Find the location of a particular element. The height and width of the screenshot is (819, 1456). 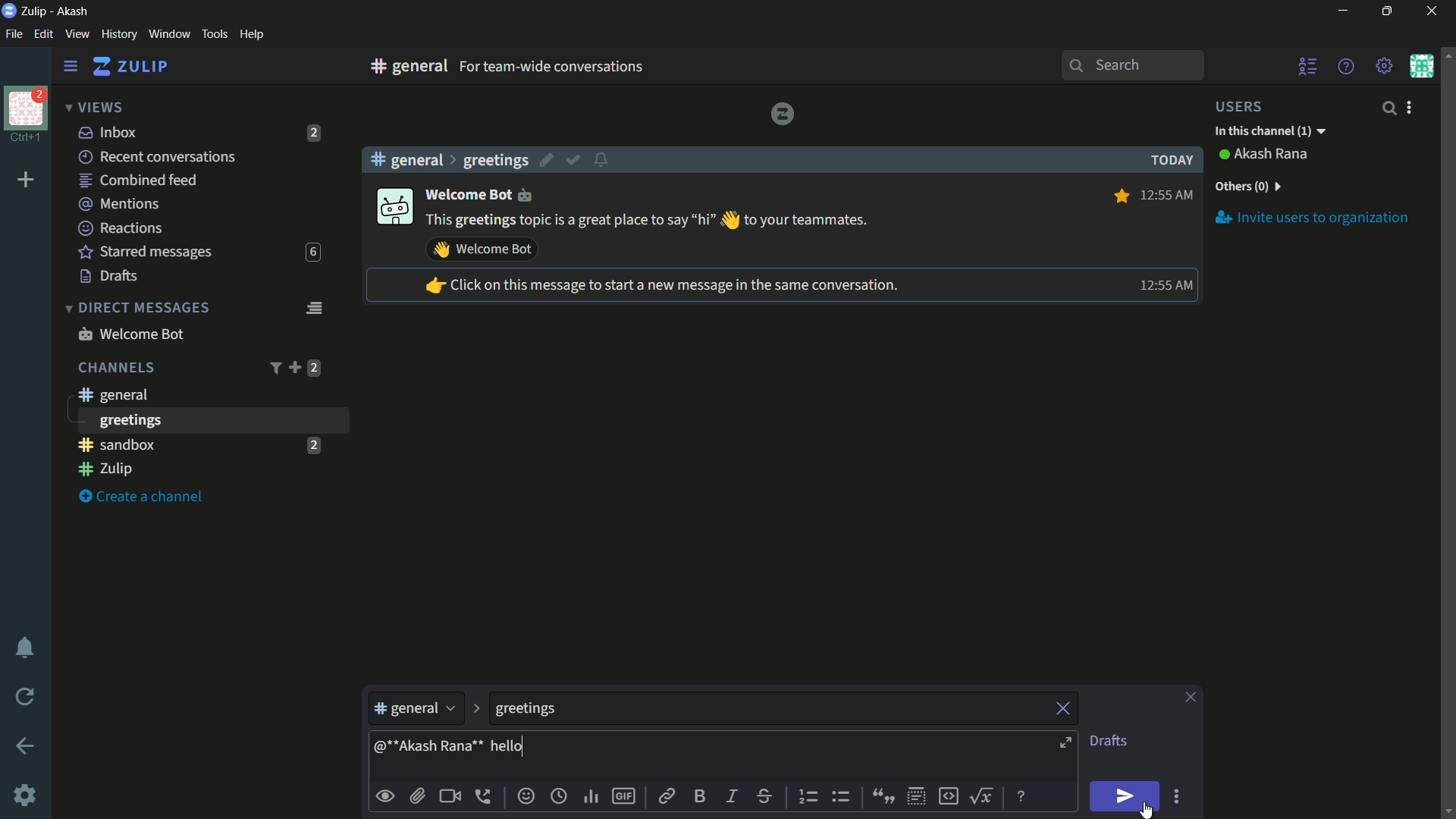

This greeting topic is a great place to say hi to your teammates is located at coordinates (648, 221).